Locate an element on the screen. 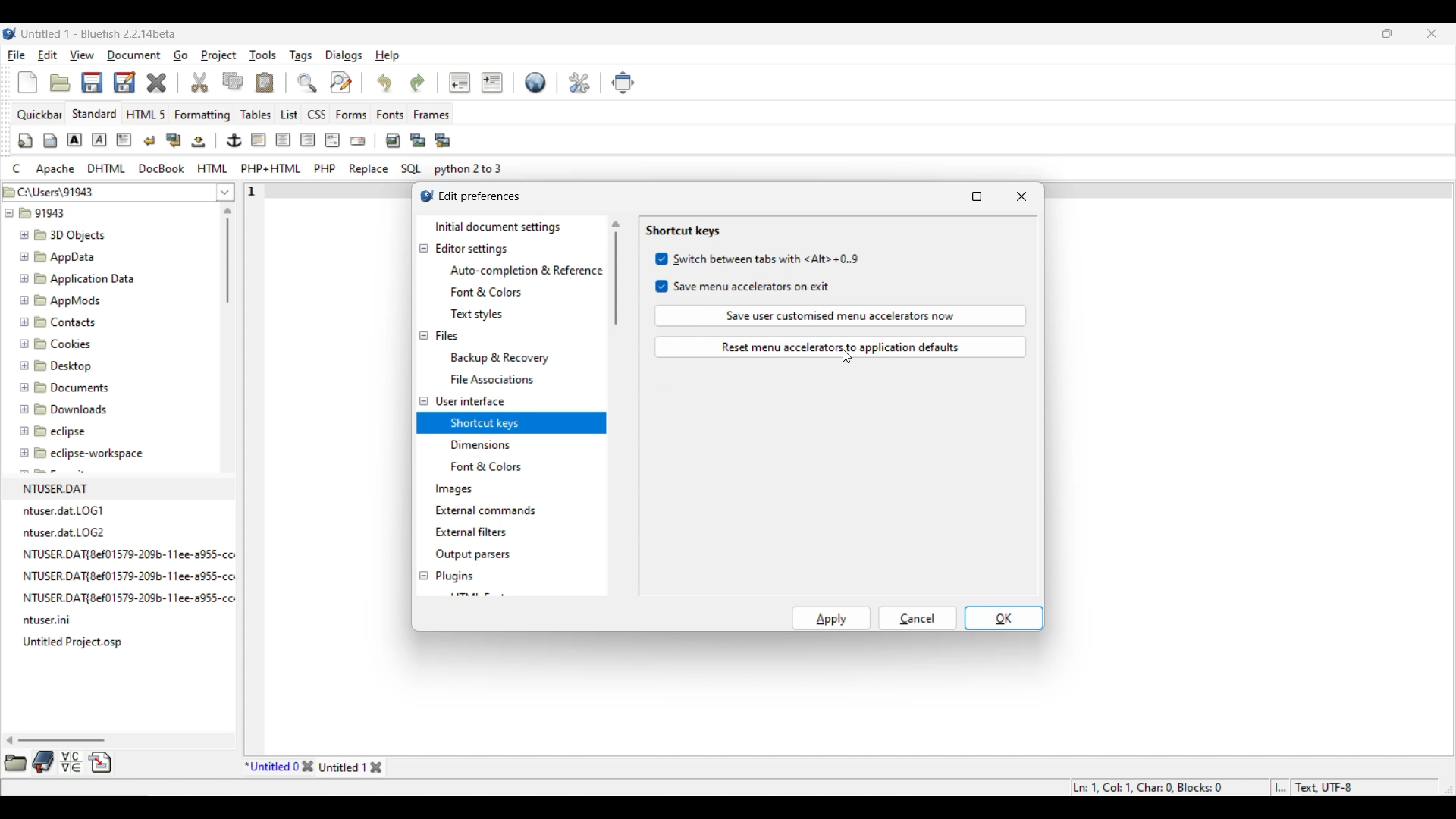 This screenshot has width=1456, height=819. Forms is located at coordinates (351, 115).